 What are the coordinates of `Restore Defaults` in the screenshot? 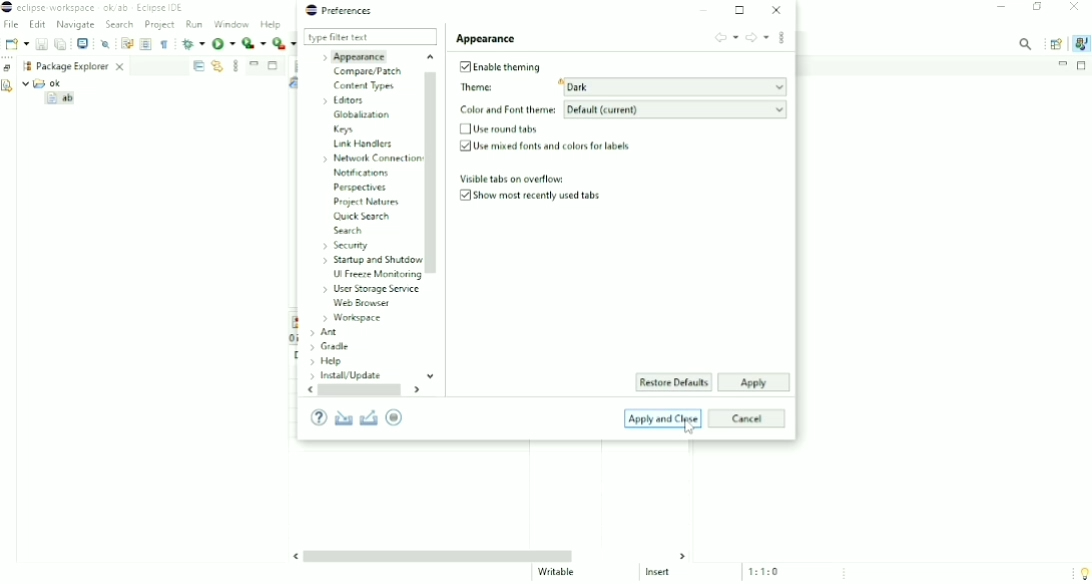 It's located at (675, 383).